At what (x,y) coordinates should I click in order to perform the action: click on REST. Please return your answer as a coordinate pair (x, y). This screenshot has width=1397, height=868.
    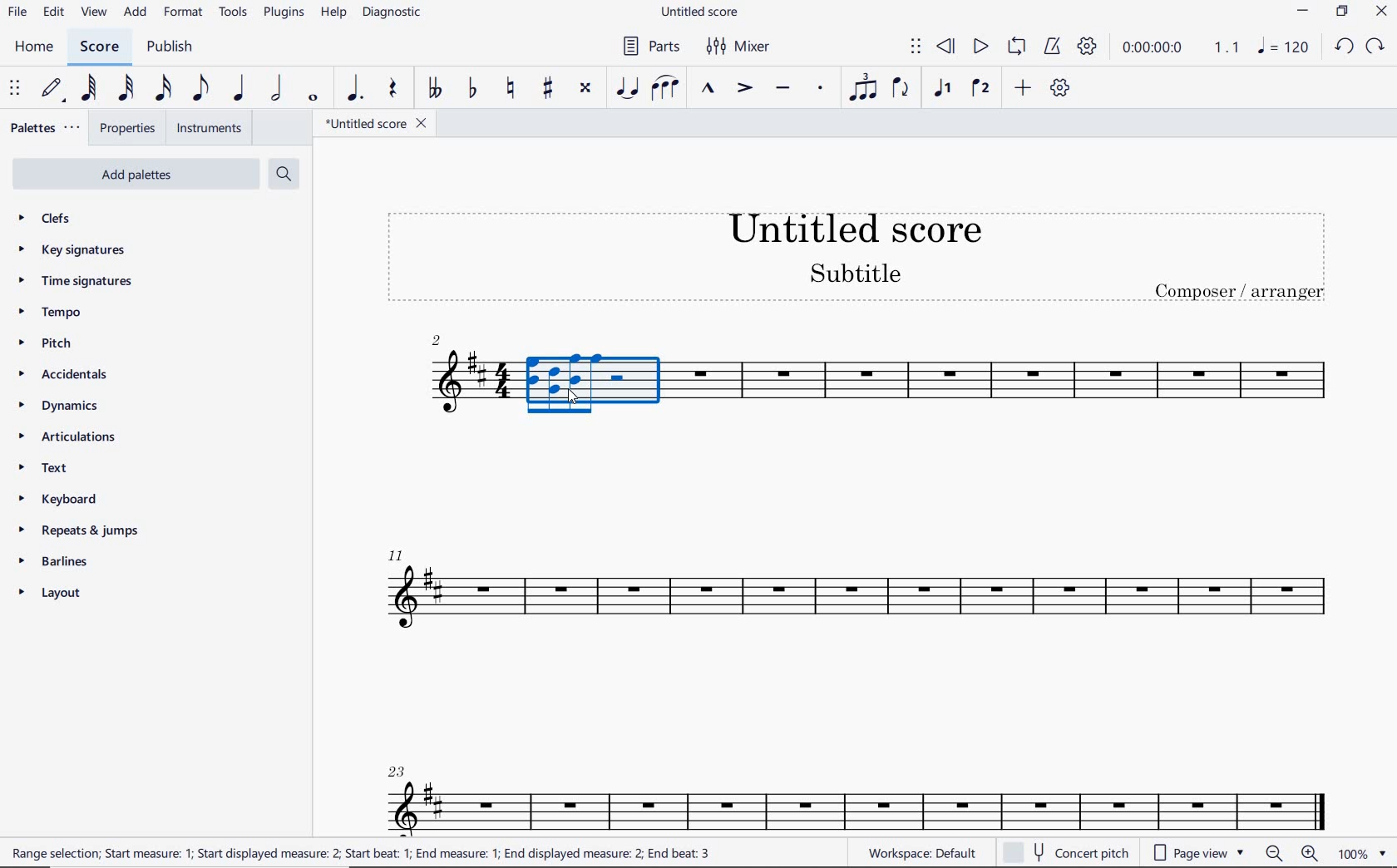
    Looking at the image, I should click on (393, 91).